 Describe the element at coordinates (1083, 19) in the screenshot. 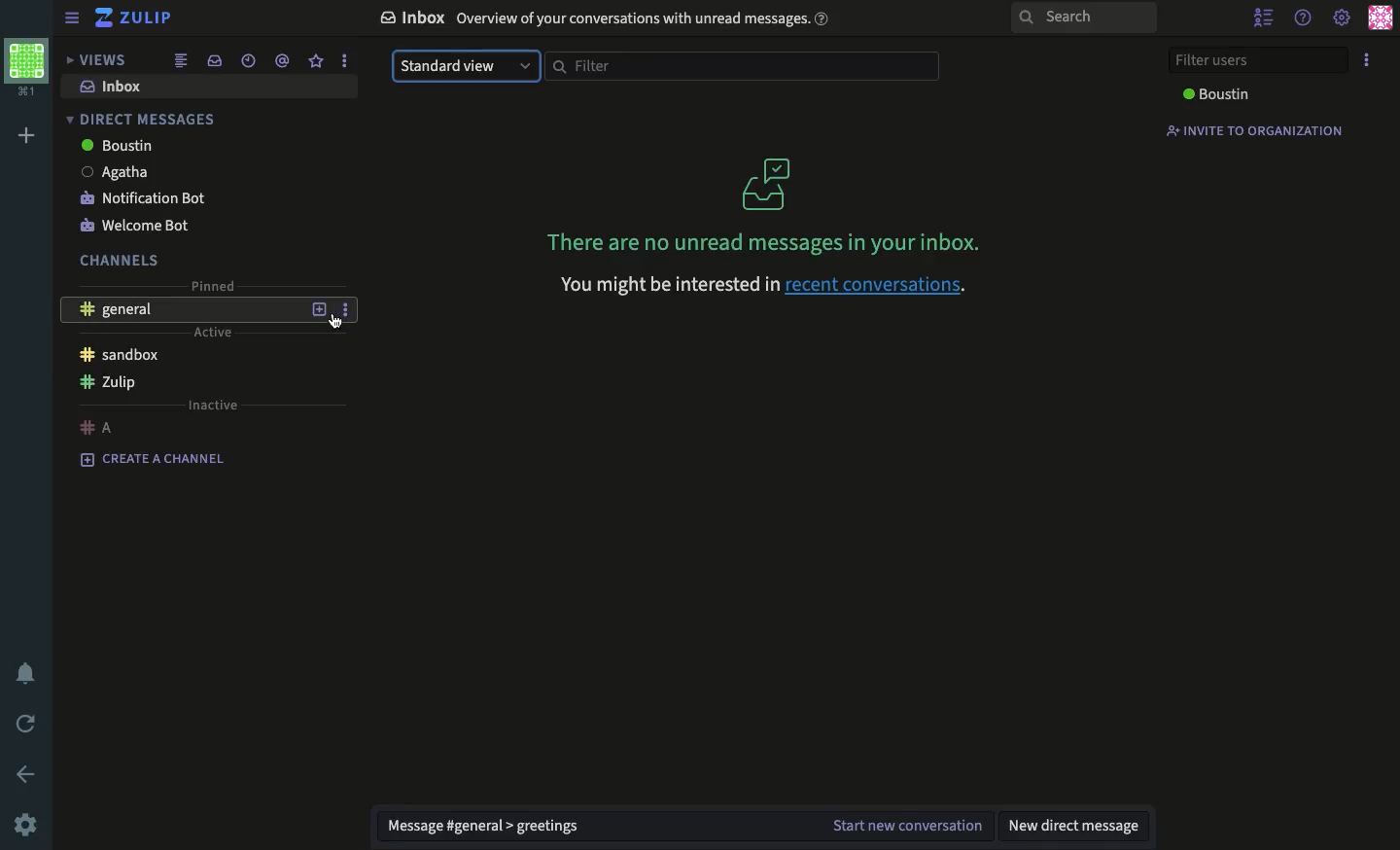

I see `search` at that location.